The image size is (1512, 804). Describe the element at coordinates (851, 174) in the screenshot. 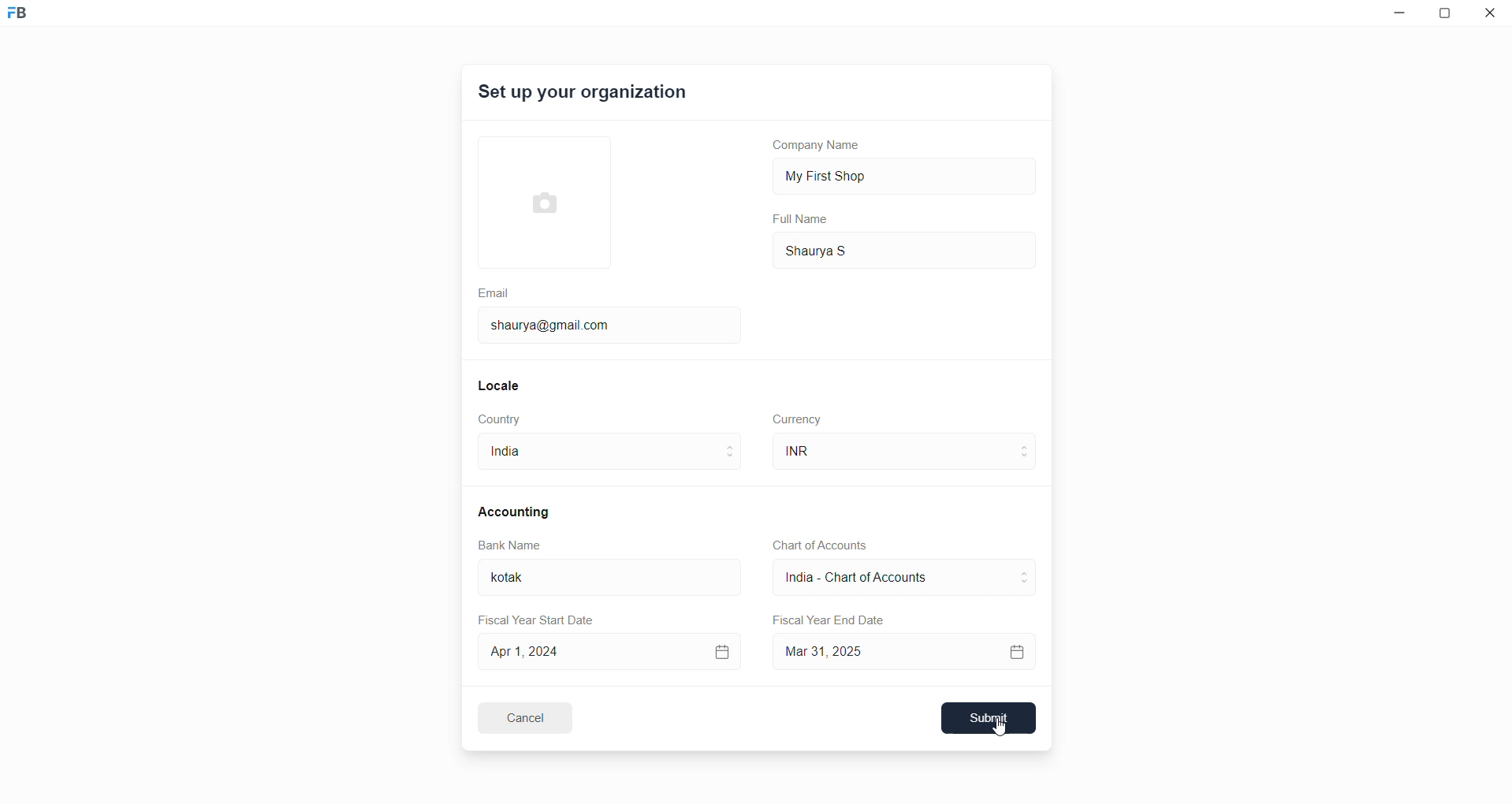

I see `My First Shop` at that location.